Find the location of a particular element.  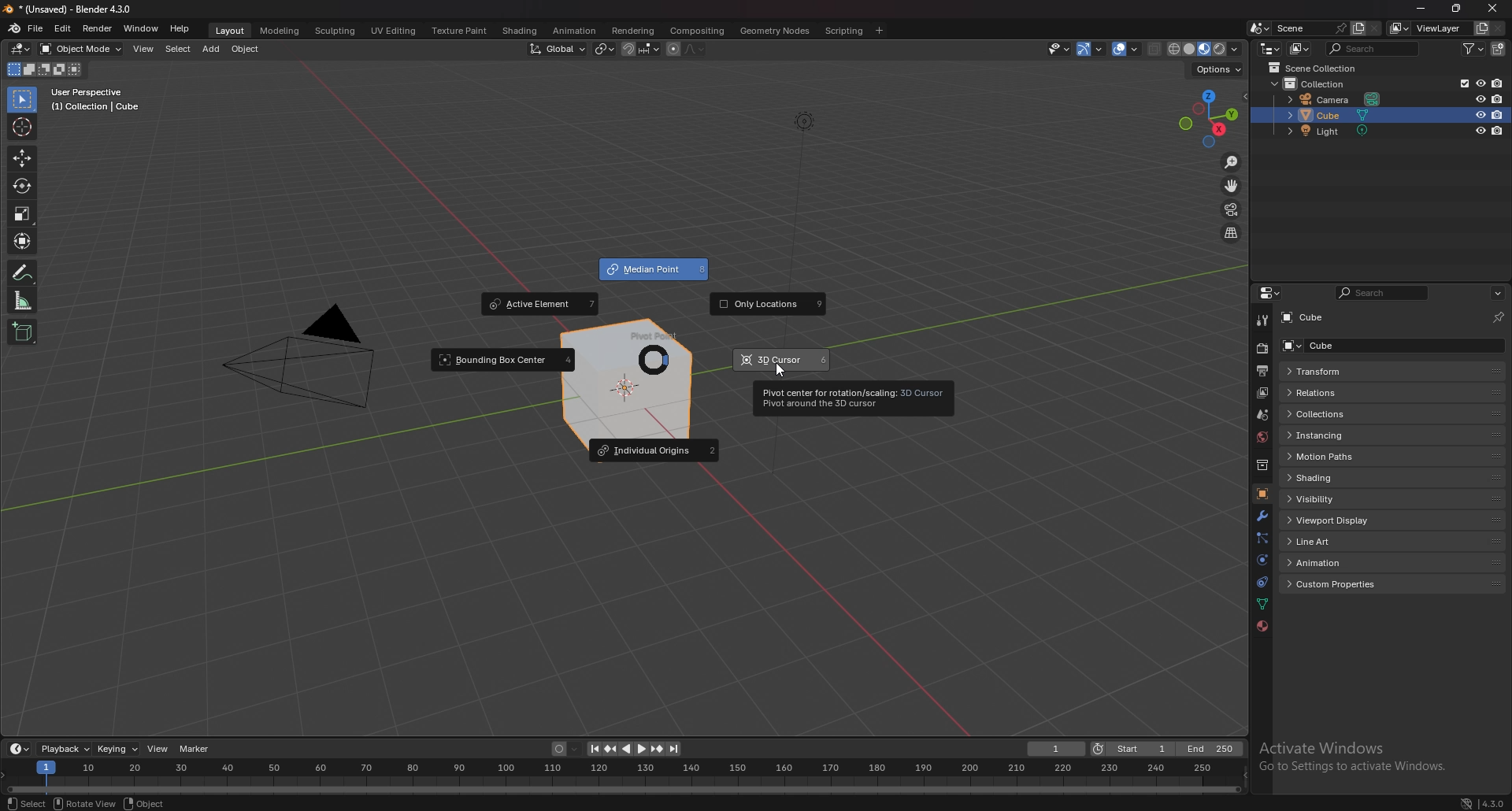

disable in renders is located at coordinates (1499, 99).